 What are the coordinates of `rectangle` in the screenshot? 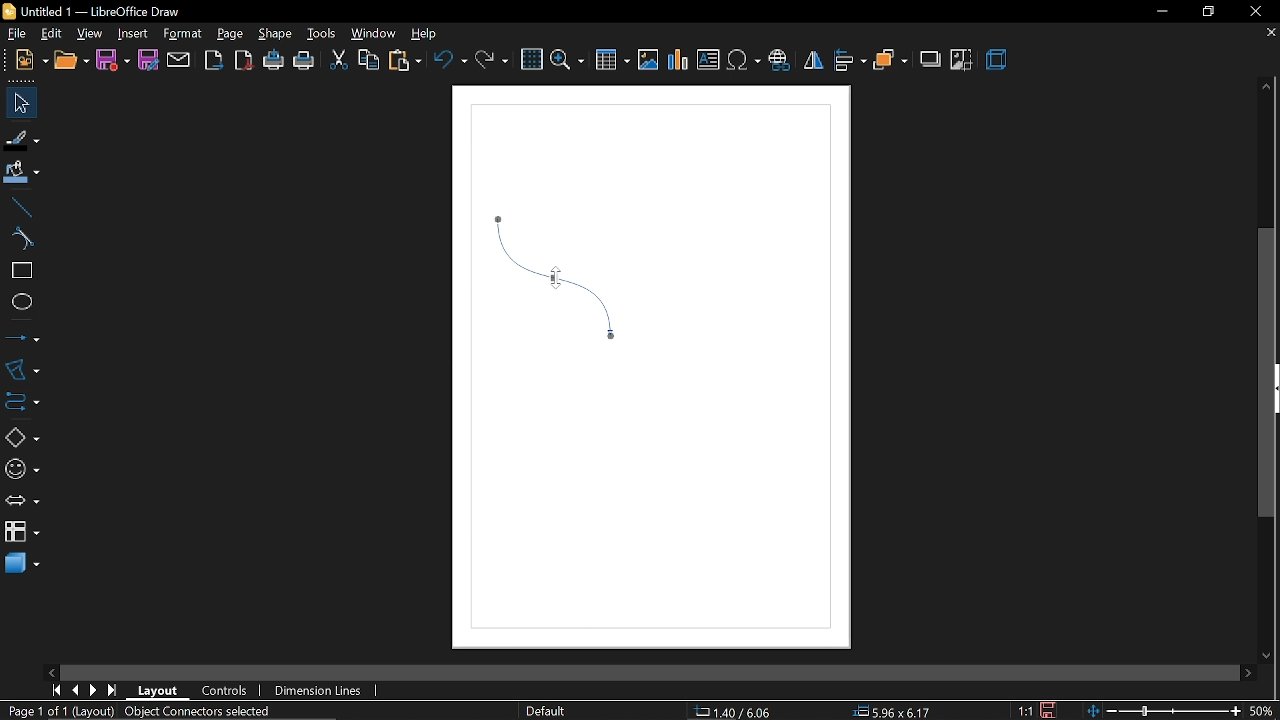 It's located at (18, 271).